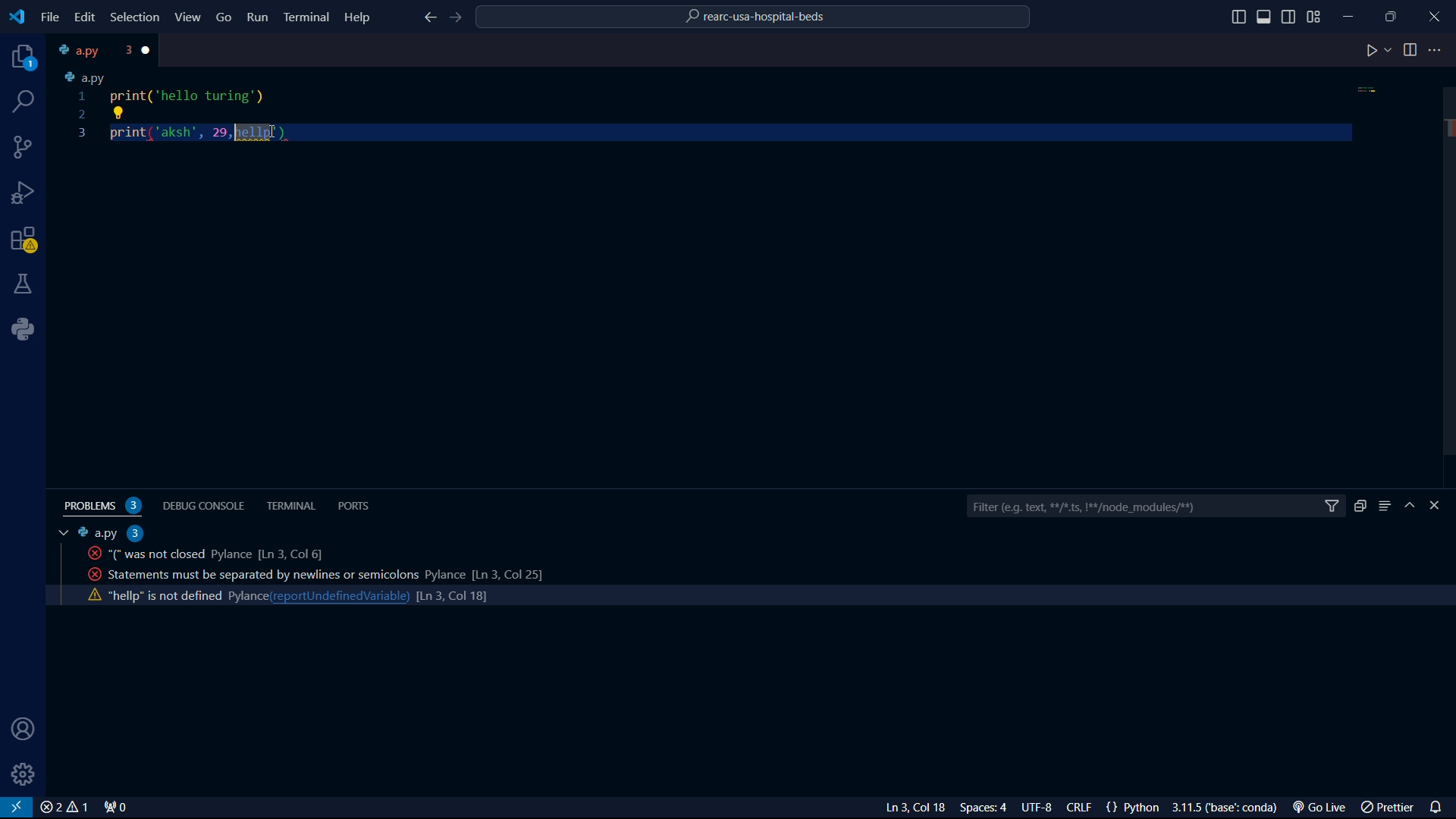  I want to click on debug console, so click(206, 504).